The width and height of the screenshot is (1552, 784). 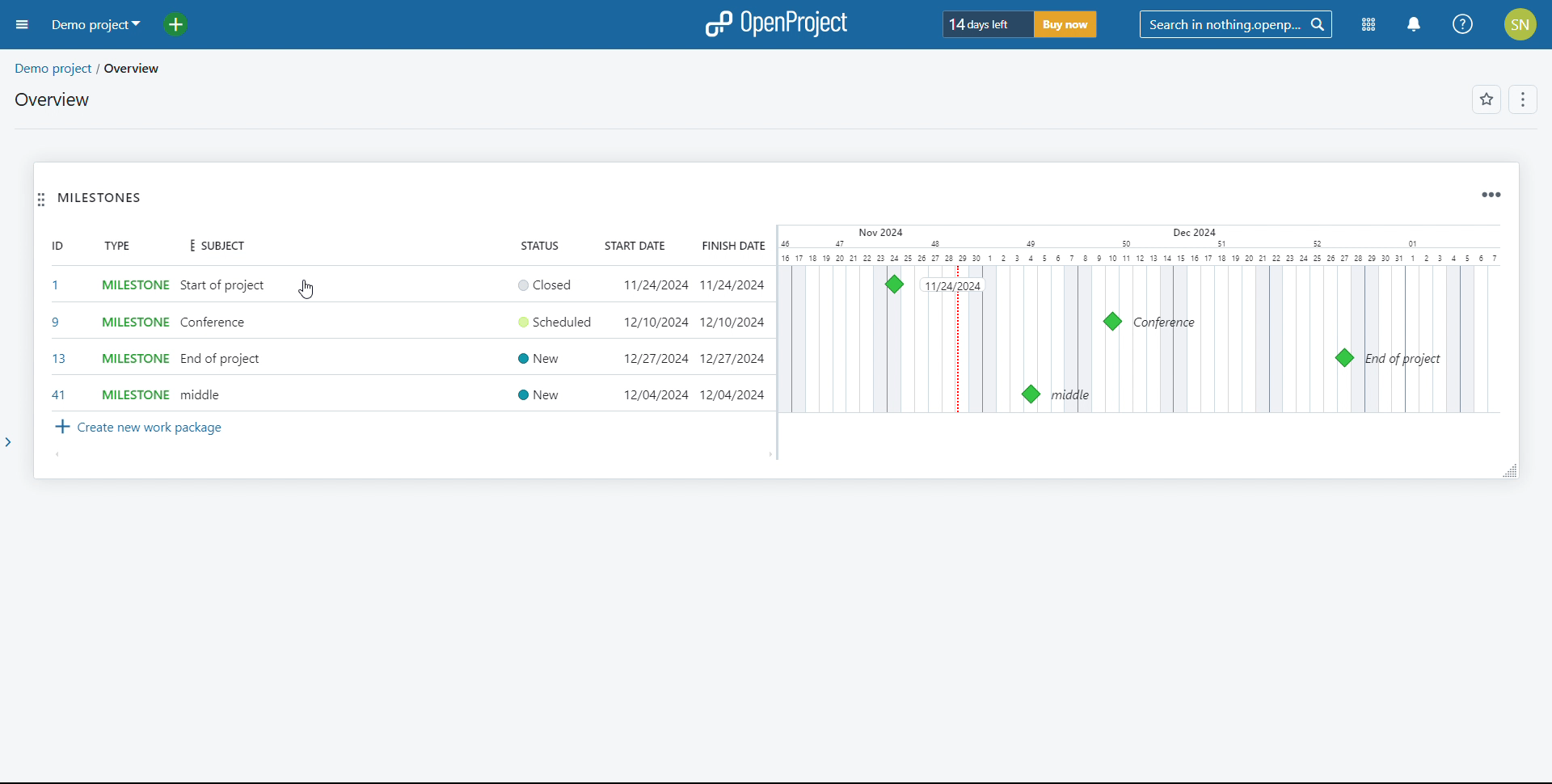 What do you see at coordinates (1525, 99) in the screenshot?
I see `options` at bounding box center [1525, 99].